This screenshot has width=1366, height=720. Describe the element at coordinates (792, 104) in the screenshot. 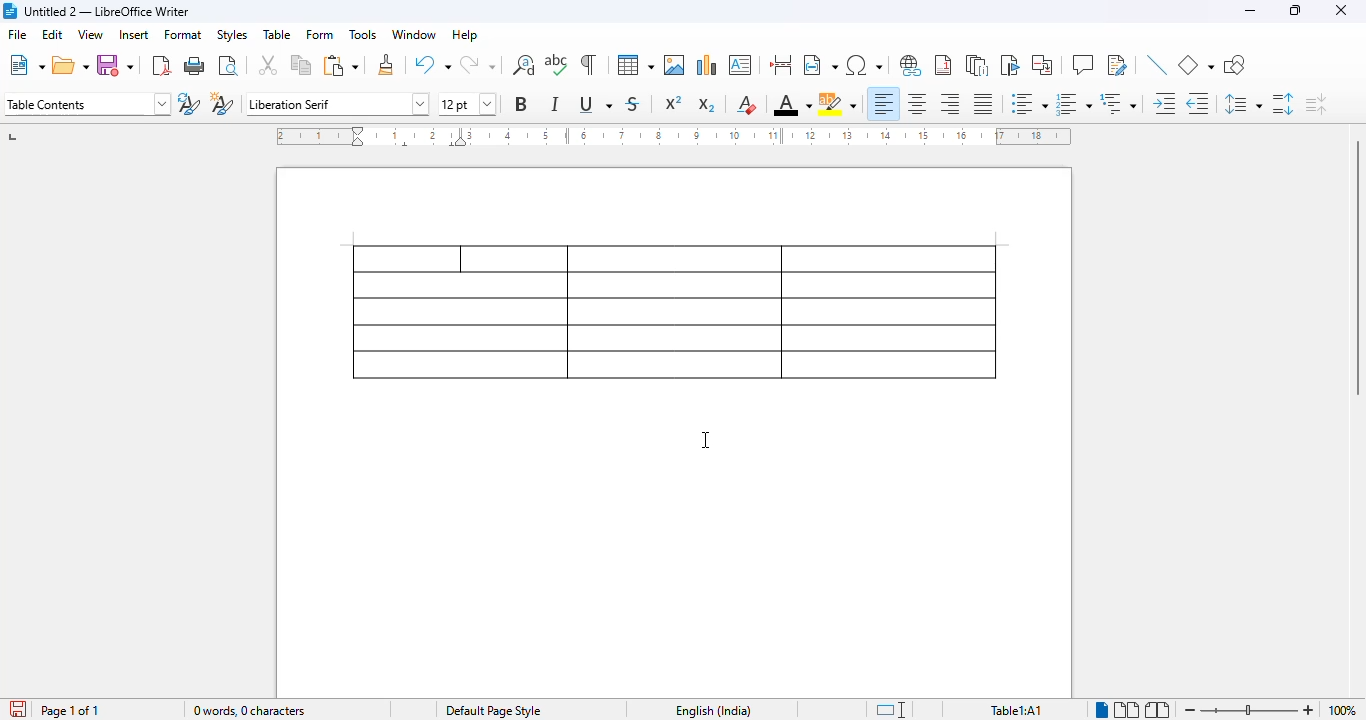

I see `font color` at that location.